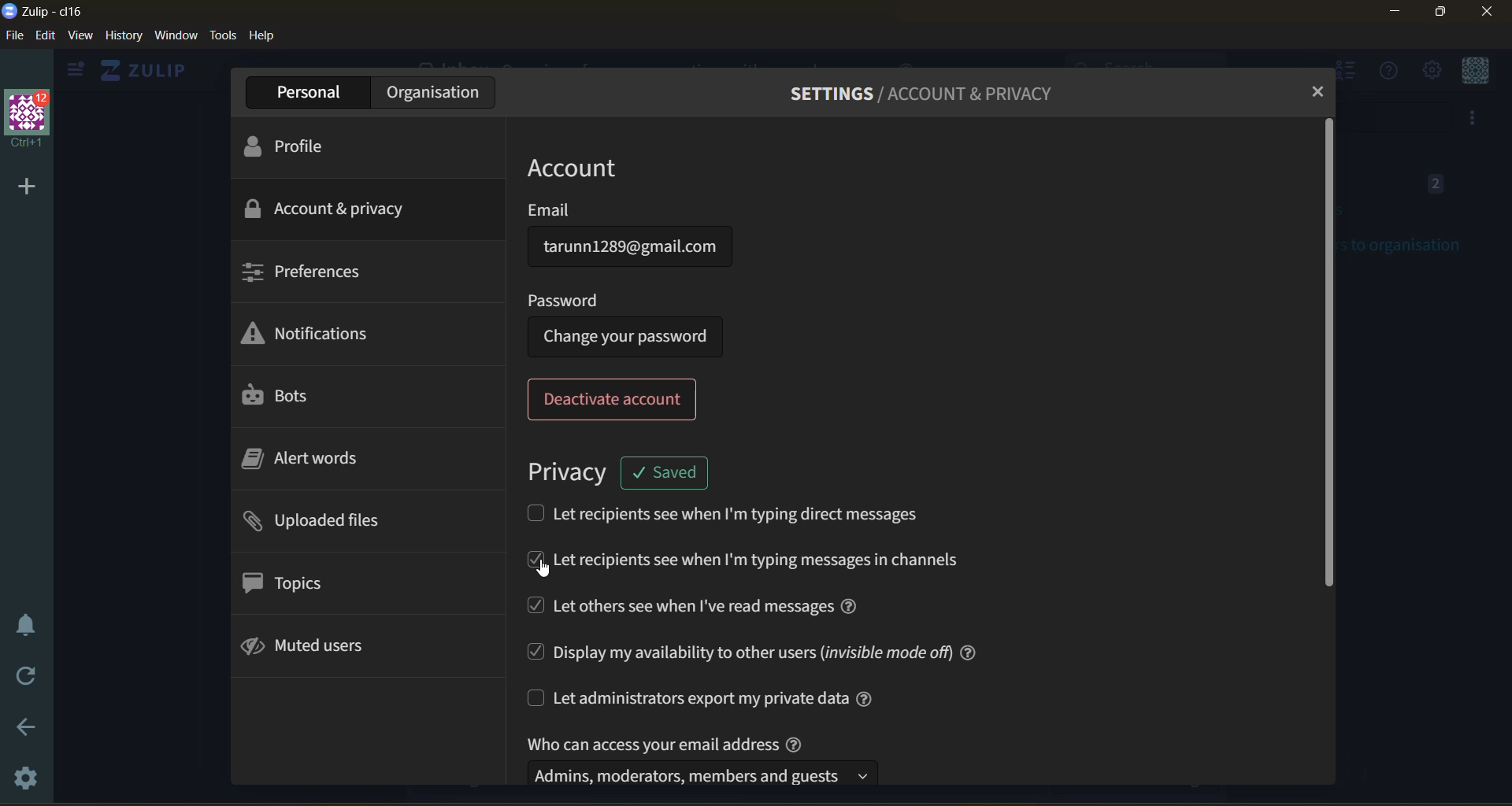 This screenshot has height=806, width=1512. Describe the element at coordinates (287, 582) in the screenshot. I see `topics` at that location.